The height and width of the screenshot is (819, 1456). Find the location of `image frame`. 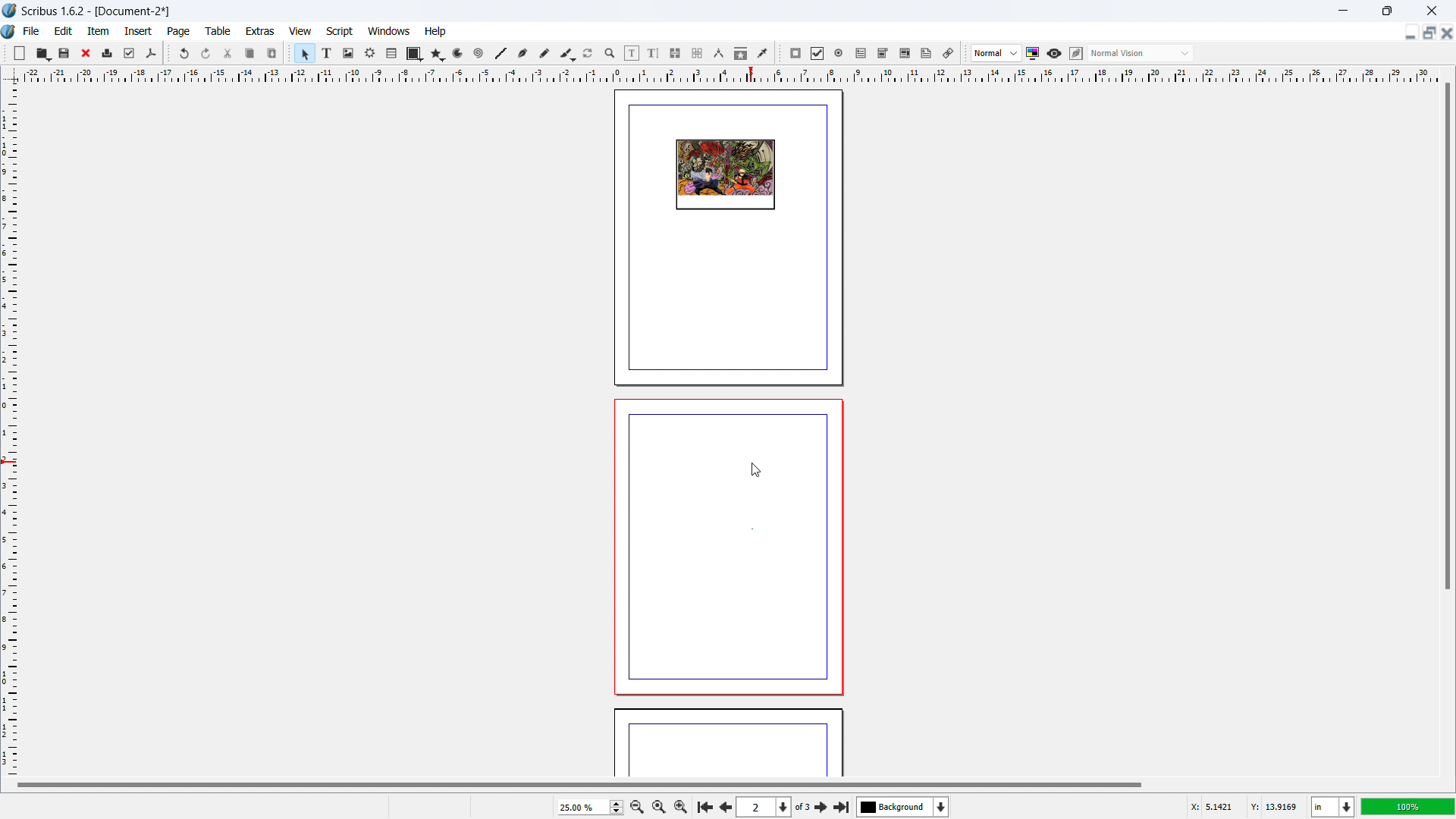

image frame is located at coordinates (348, 53).